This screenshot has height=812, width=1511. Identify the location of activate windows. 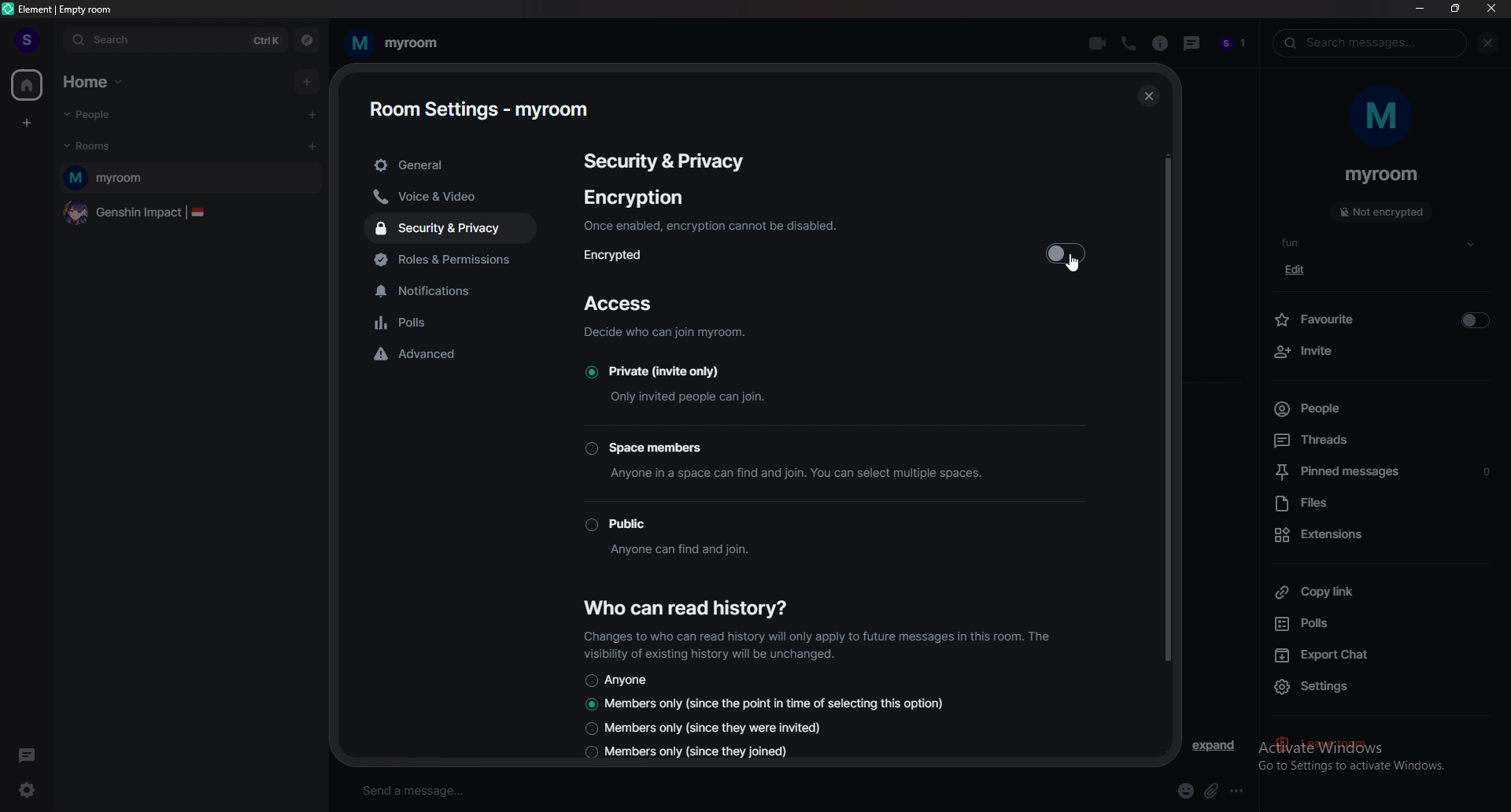
(1369, 744).